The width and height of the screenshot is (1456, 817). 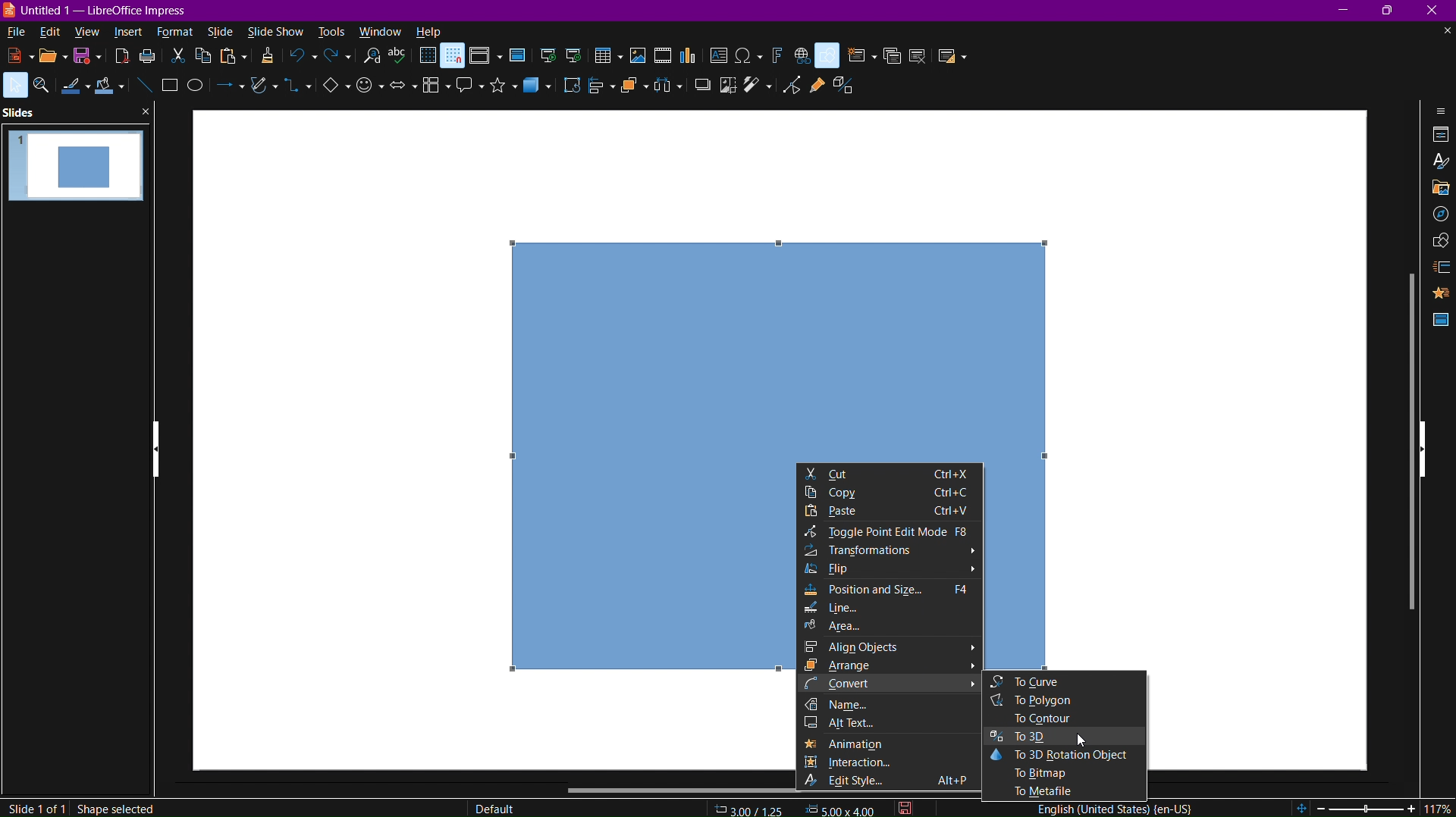 I want to click on Snap to Grid, so click(x=453, y=57).